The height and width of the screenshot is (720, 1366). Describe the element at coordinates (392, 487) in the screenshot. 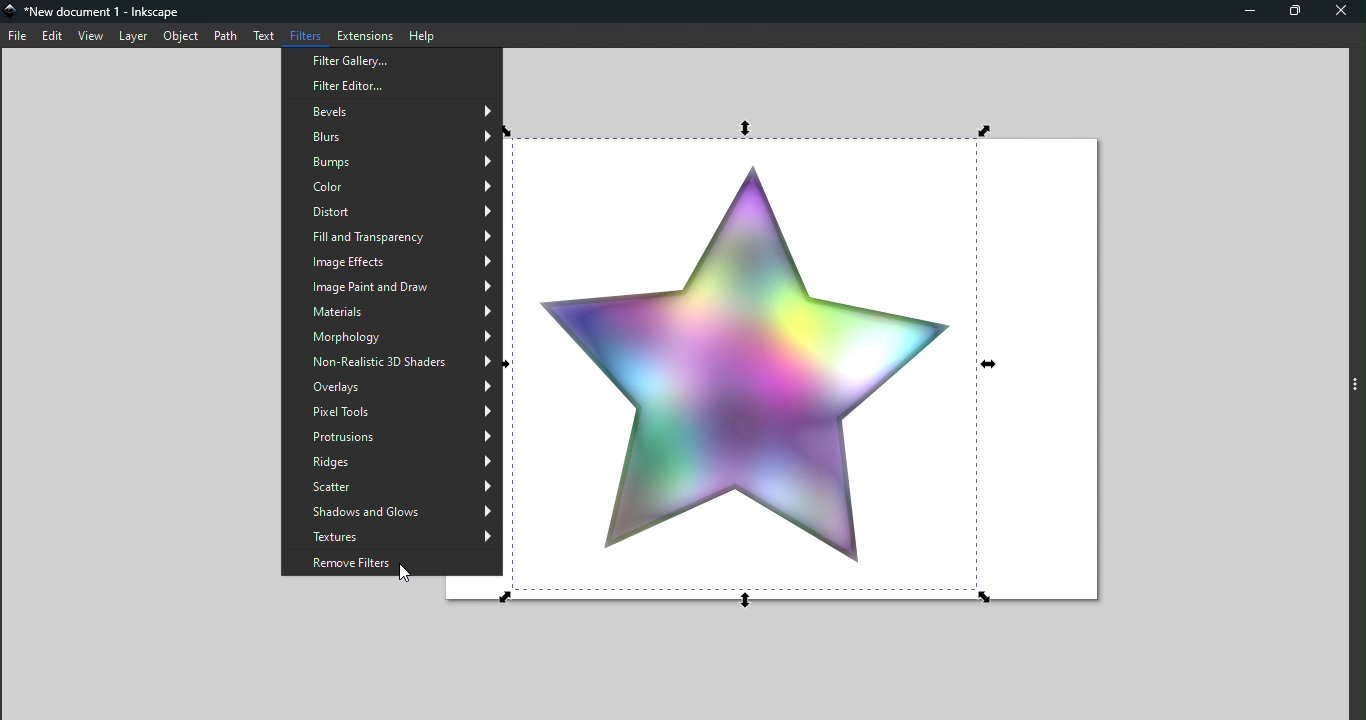

I see `Scatter` at that location.